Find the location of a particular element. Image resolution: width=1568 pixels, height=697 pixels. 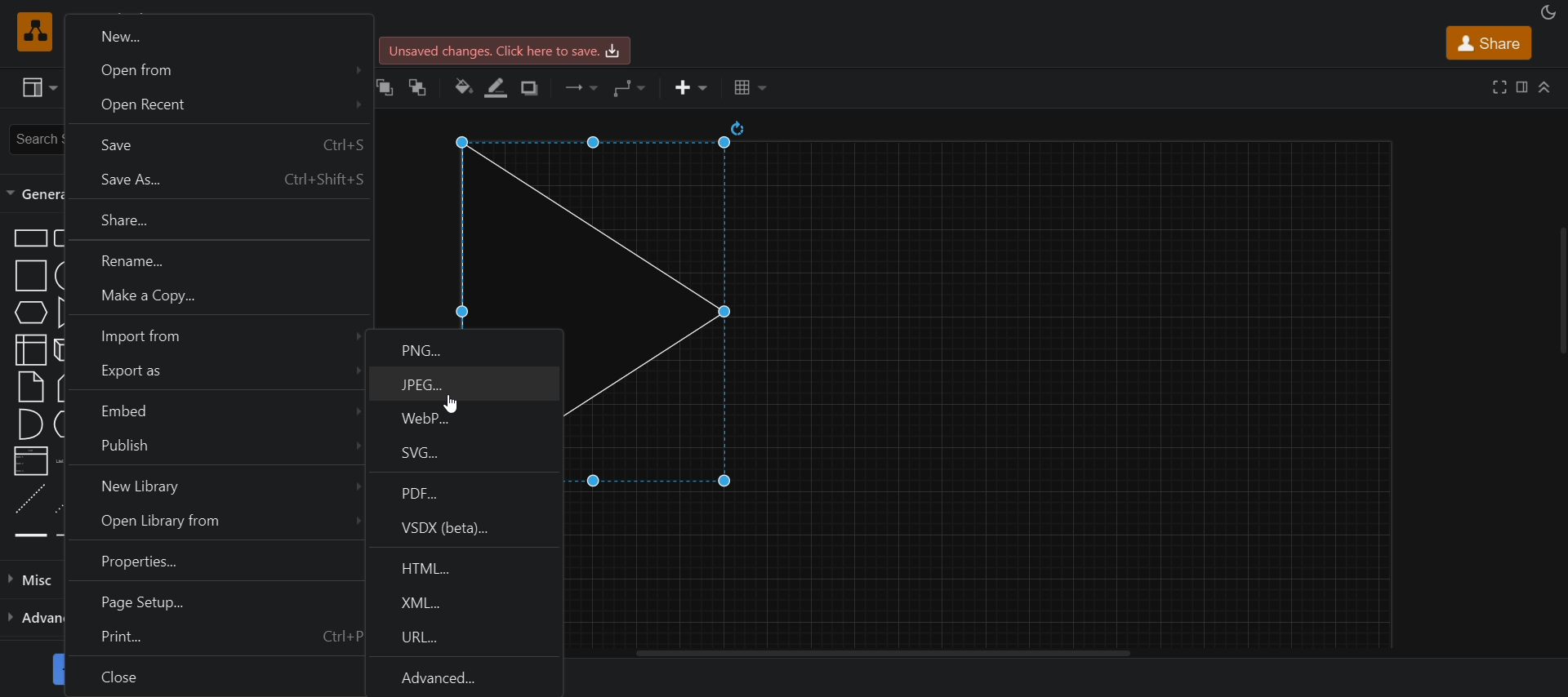

save is located at coordinates (216, 144).